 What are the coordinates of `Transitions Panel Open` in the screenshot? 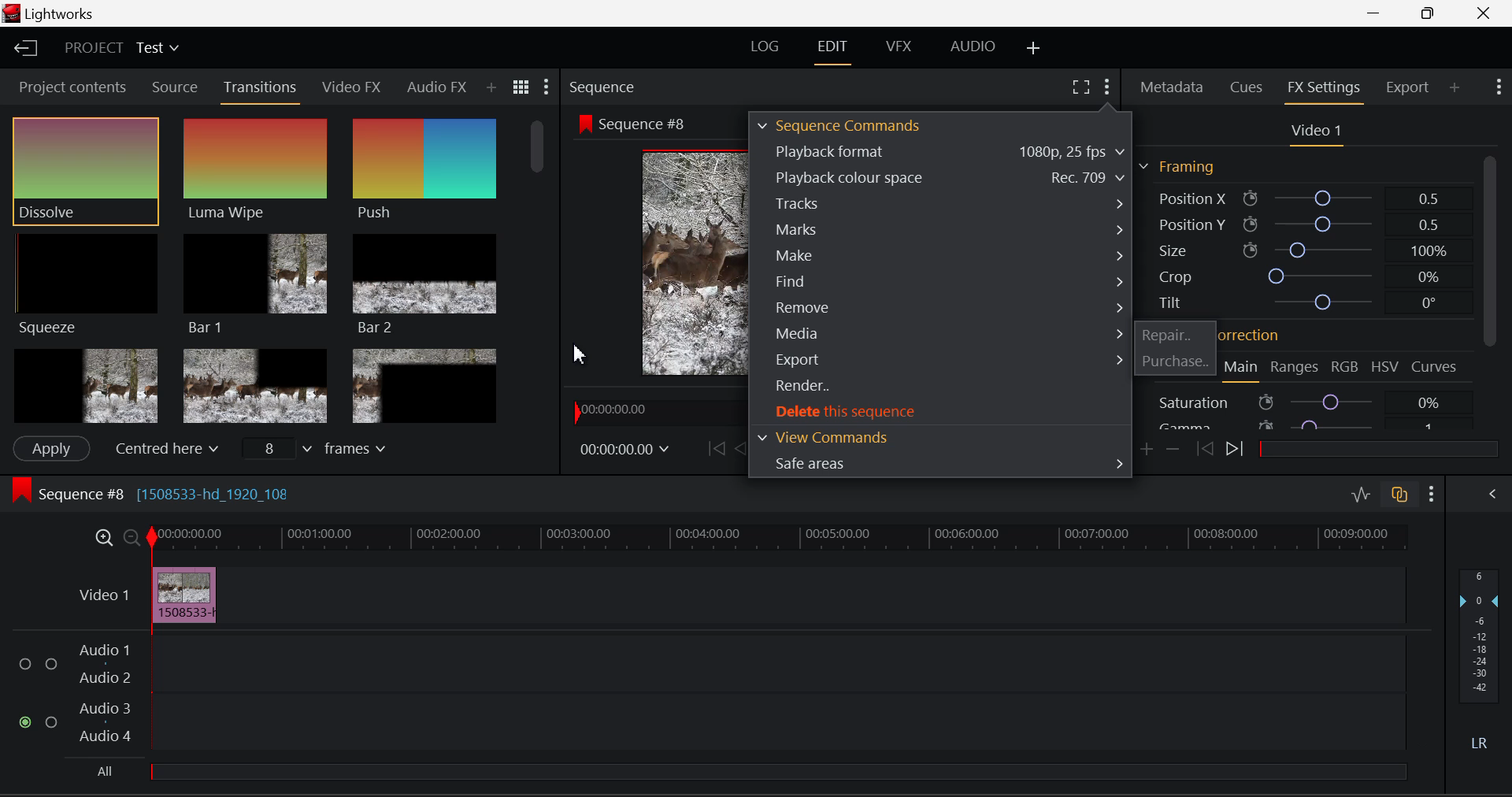 It's located at (263, 88).